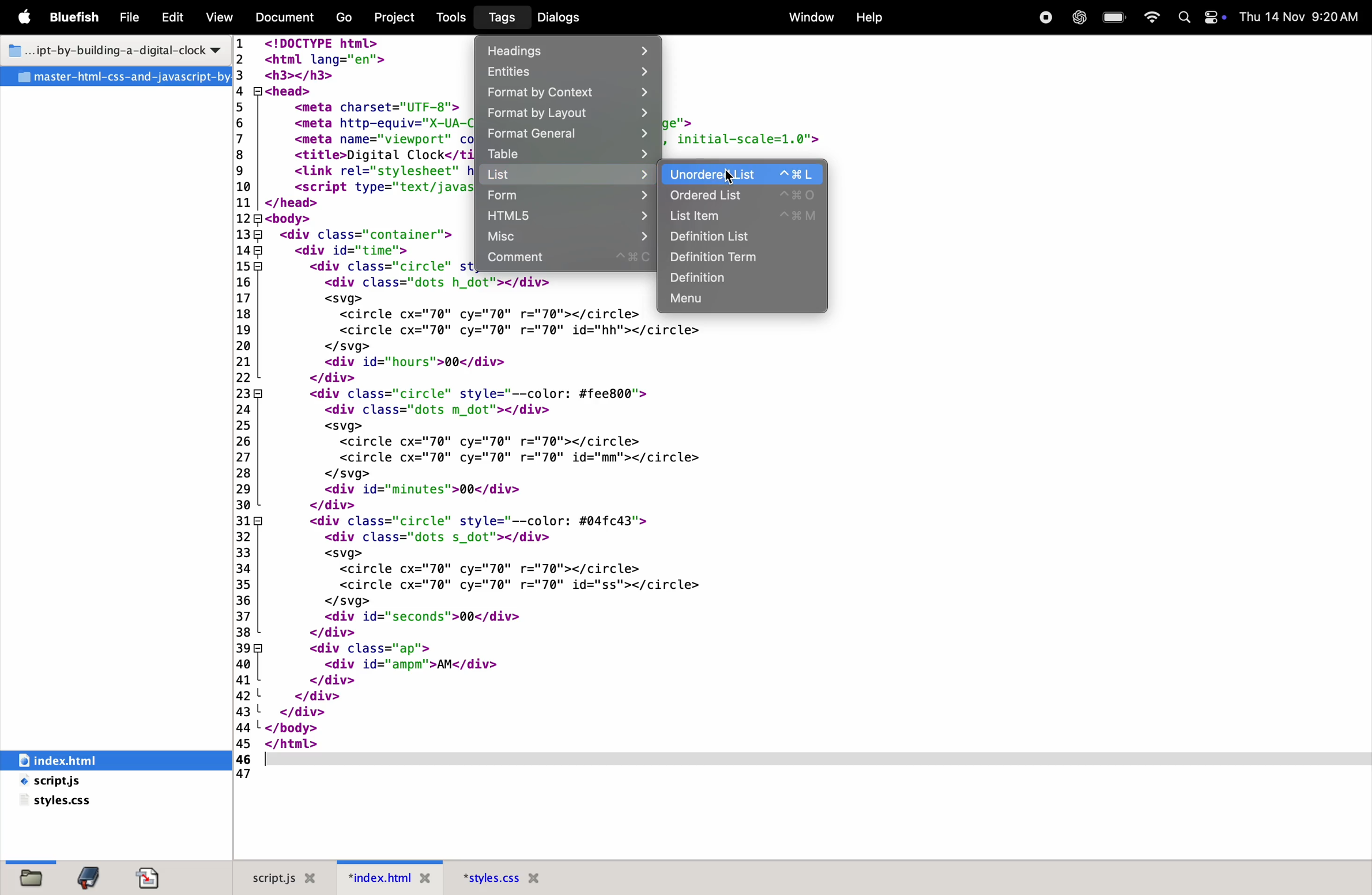  I want to click on format by layout, so click(566, 114).